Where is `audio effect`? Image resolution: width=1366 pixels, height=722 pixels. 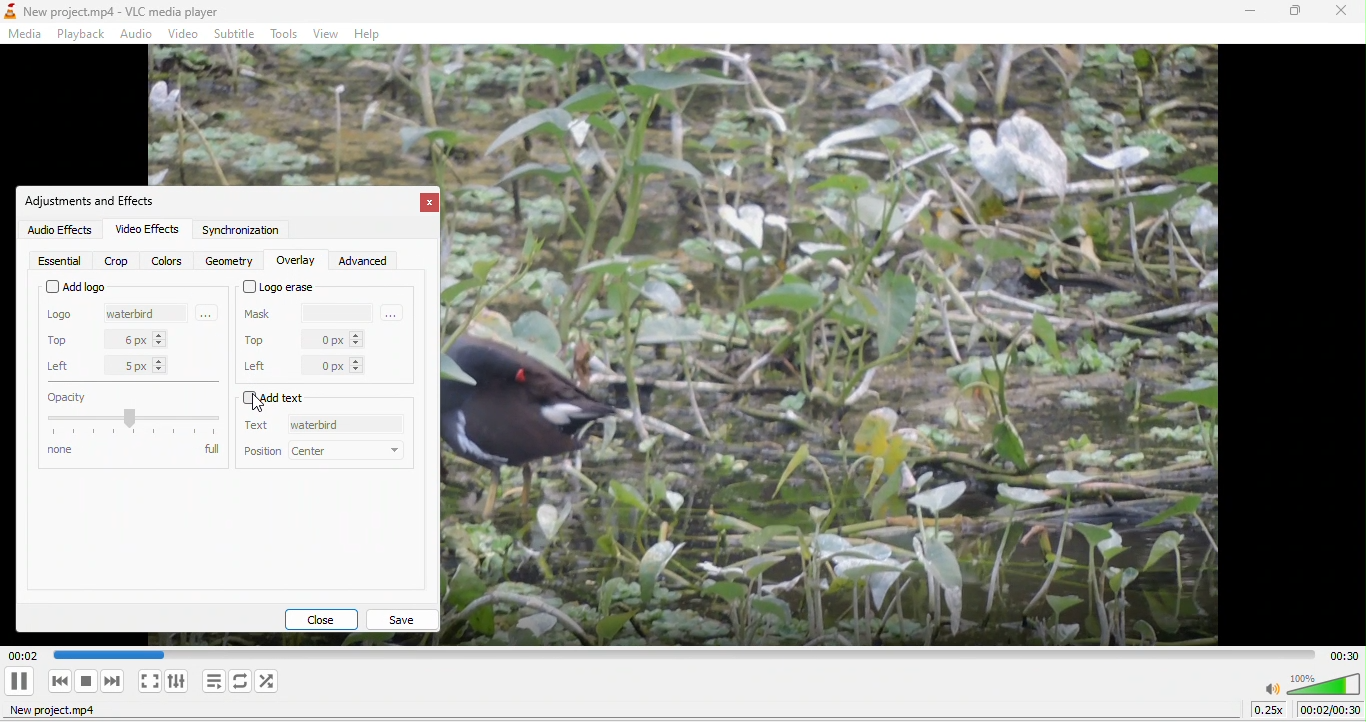
audio effect is located at coordinates (56, 230).